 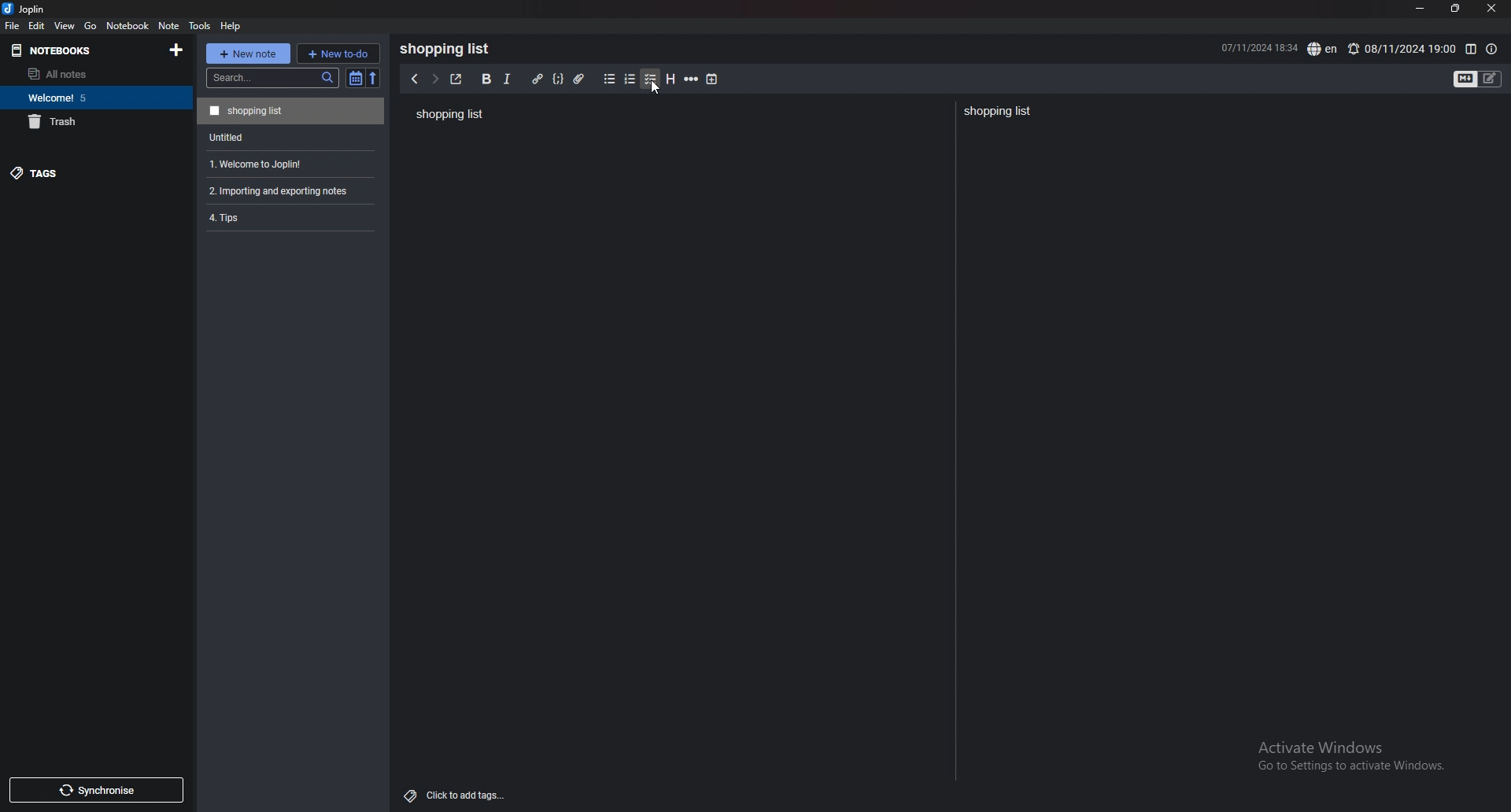 What do you see at coordinates (84, 172) in the screenshot?
I see `tags` at bounding box center [84, 172].